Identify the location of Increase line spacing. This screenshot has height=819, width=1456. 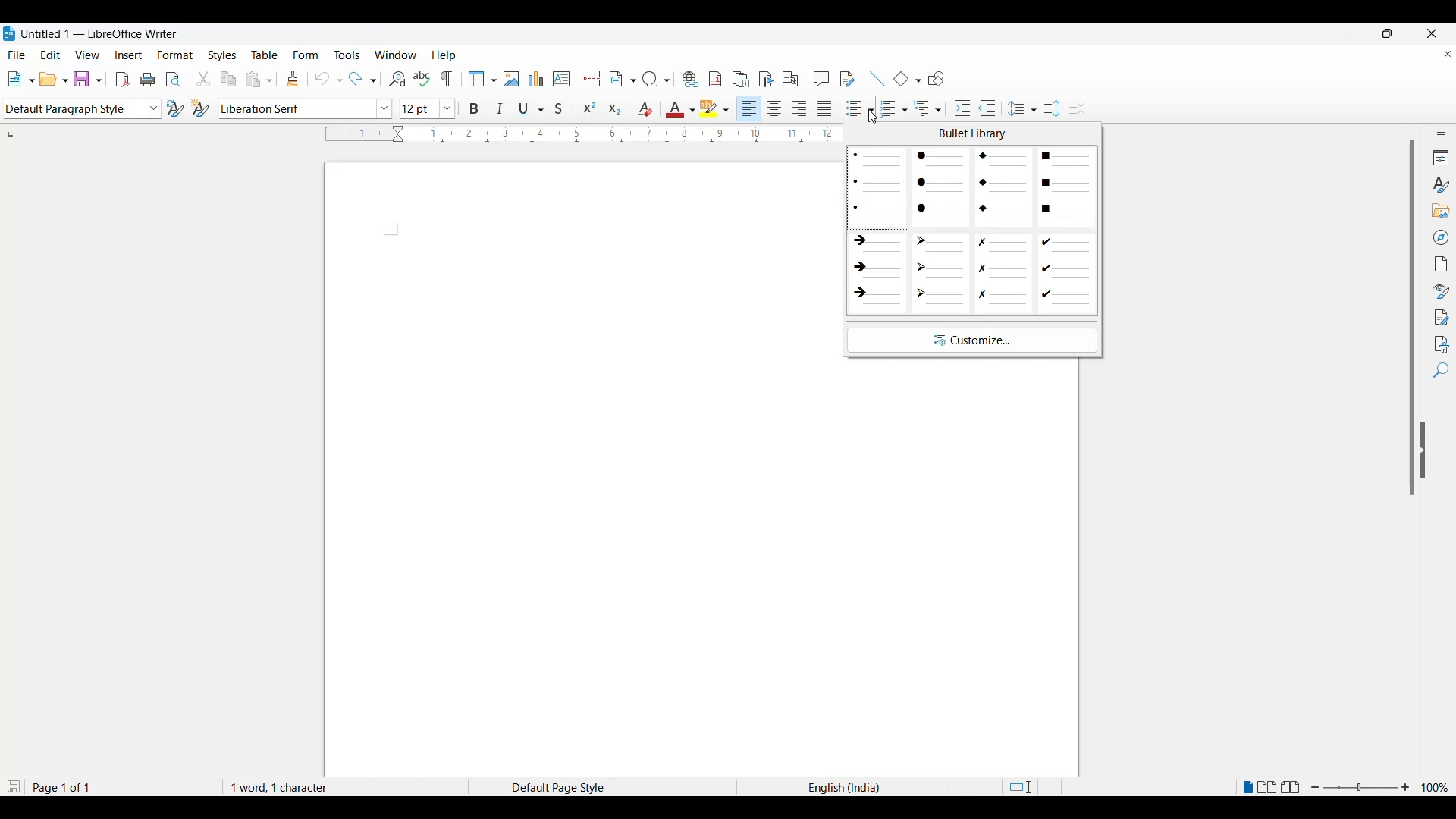
(1050, 105).